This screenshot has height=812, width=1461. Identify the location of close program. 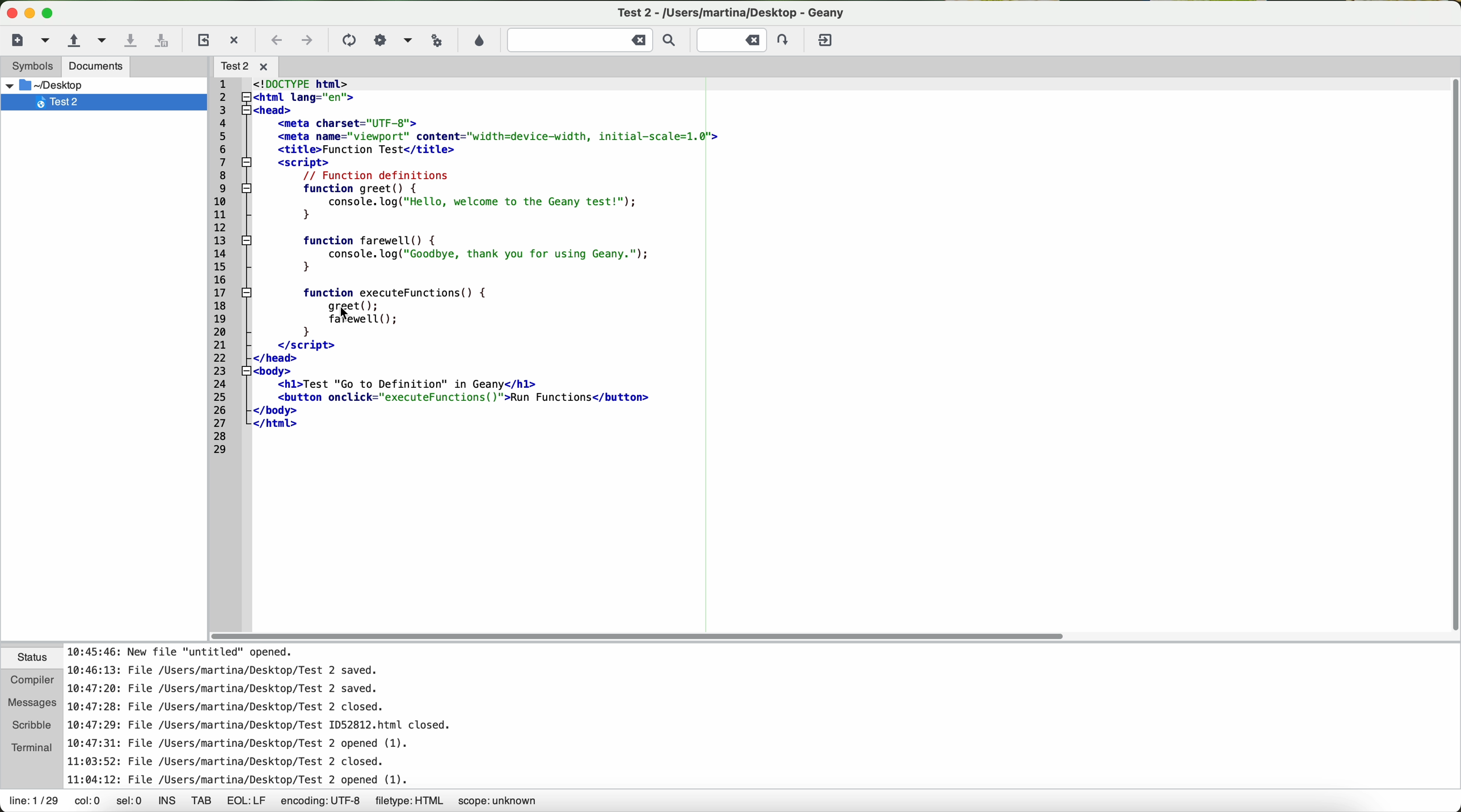
(9, 10).